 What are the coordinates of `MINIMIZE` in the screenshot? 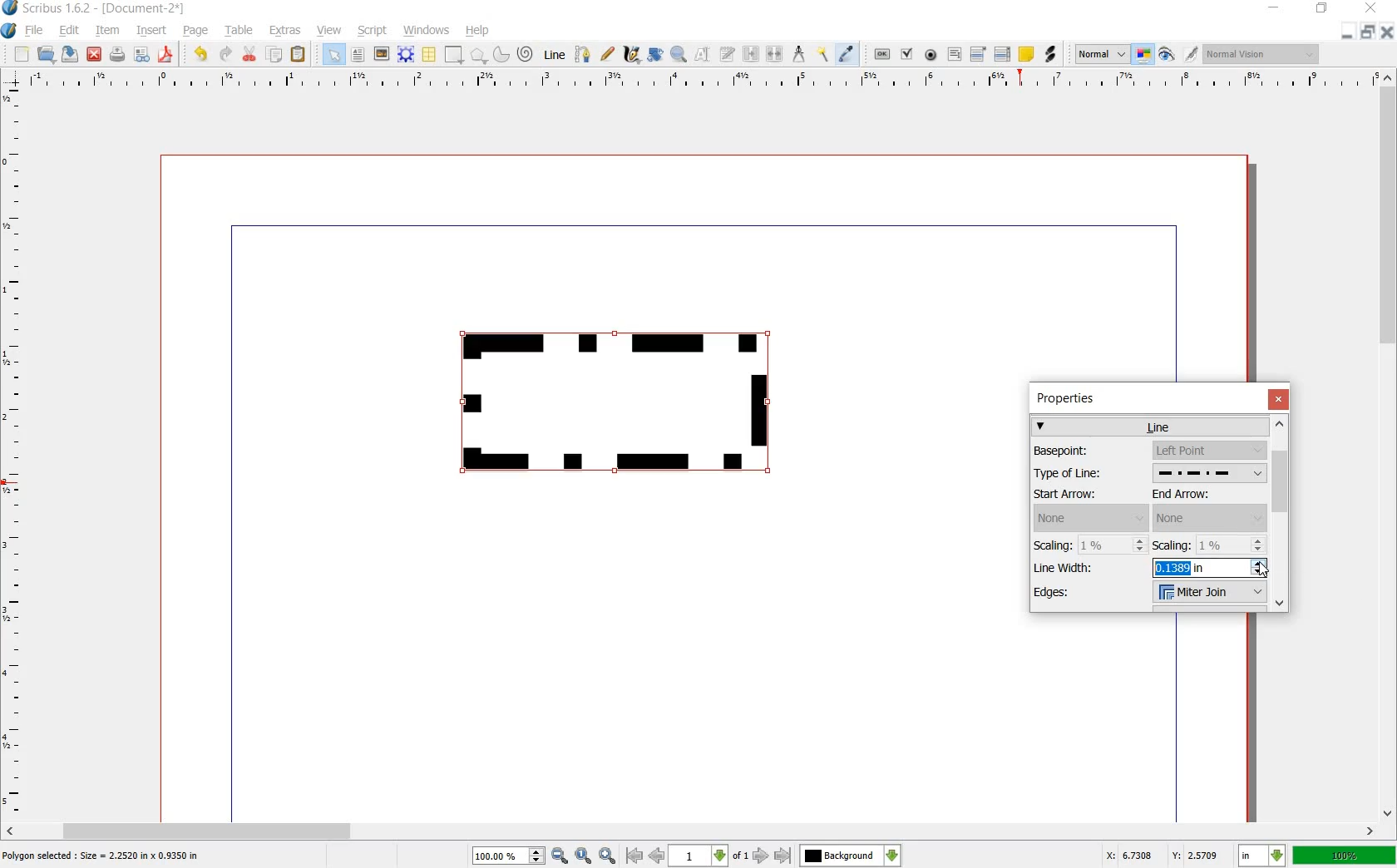 It's located at (1350, 32).